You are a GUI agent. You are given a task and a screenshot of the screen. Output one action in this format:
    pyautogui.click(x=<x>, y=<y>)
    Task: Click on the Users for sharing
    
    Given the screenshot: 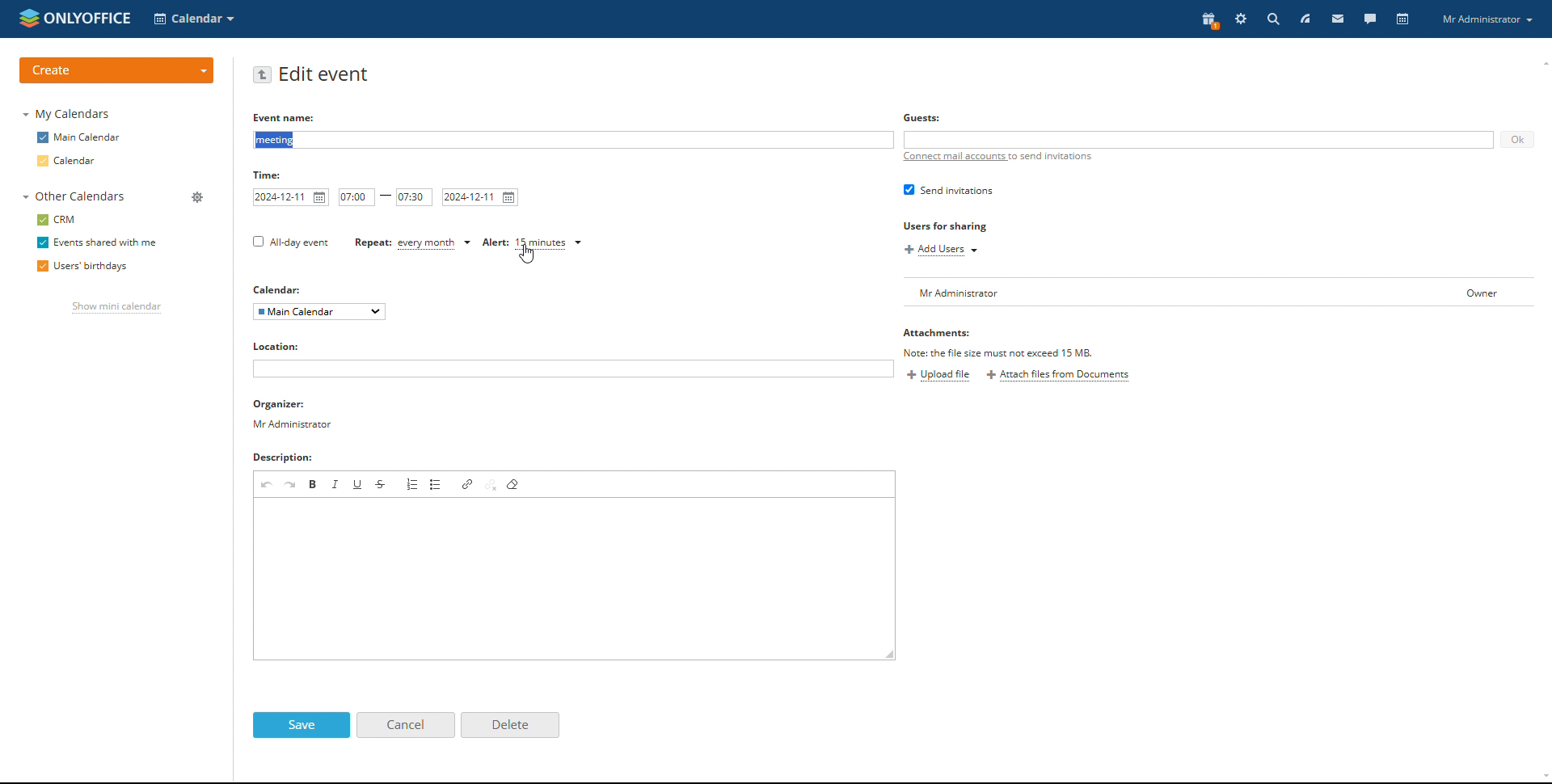 What is the action you would take?
    pyautogui.click(x=955, y=226)
    